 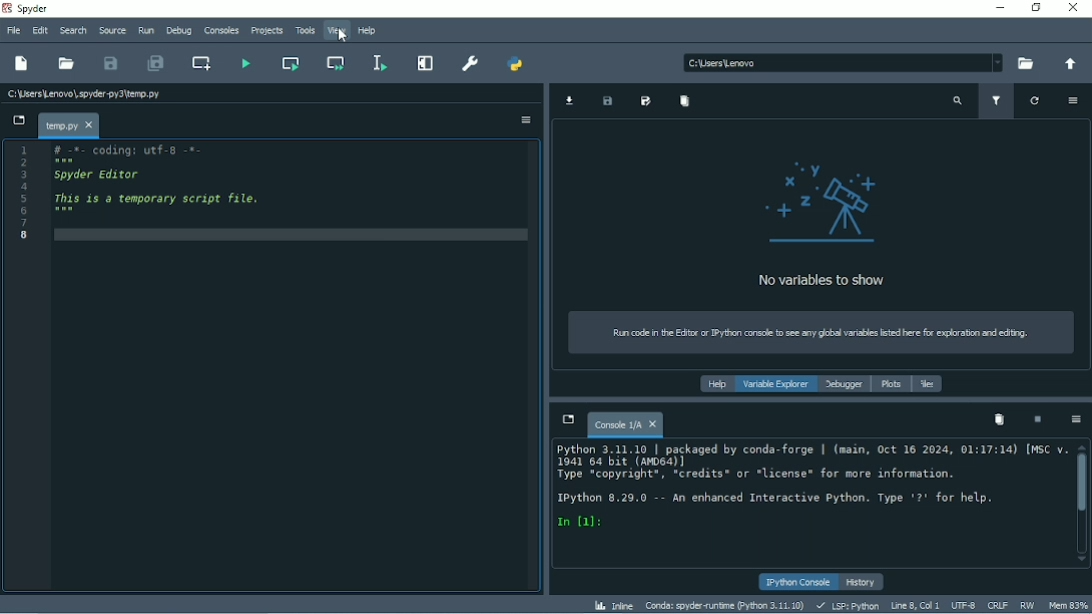 I want to click on Options, so click(x=1073, y=100).